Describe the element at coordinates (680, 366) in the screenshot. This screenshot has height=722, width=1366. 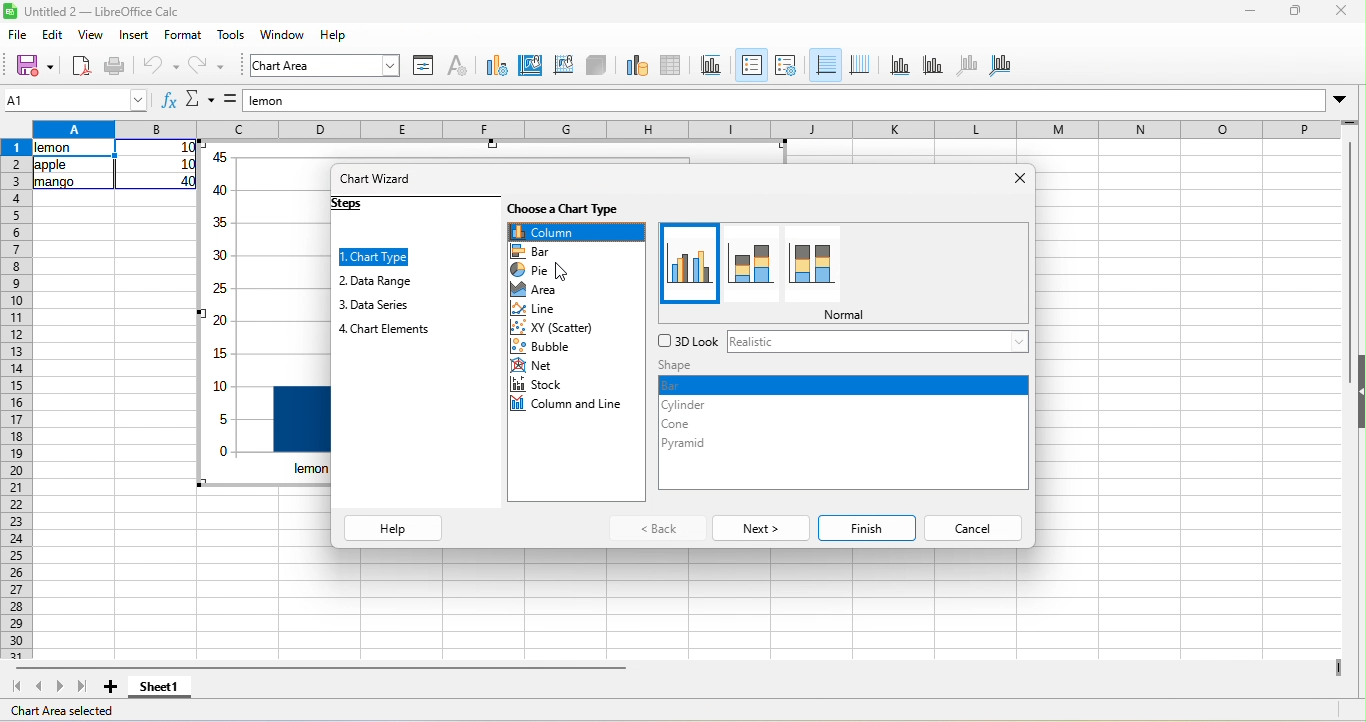
I see `shape` at that location.